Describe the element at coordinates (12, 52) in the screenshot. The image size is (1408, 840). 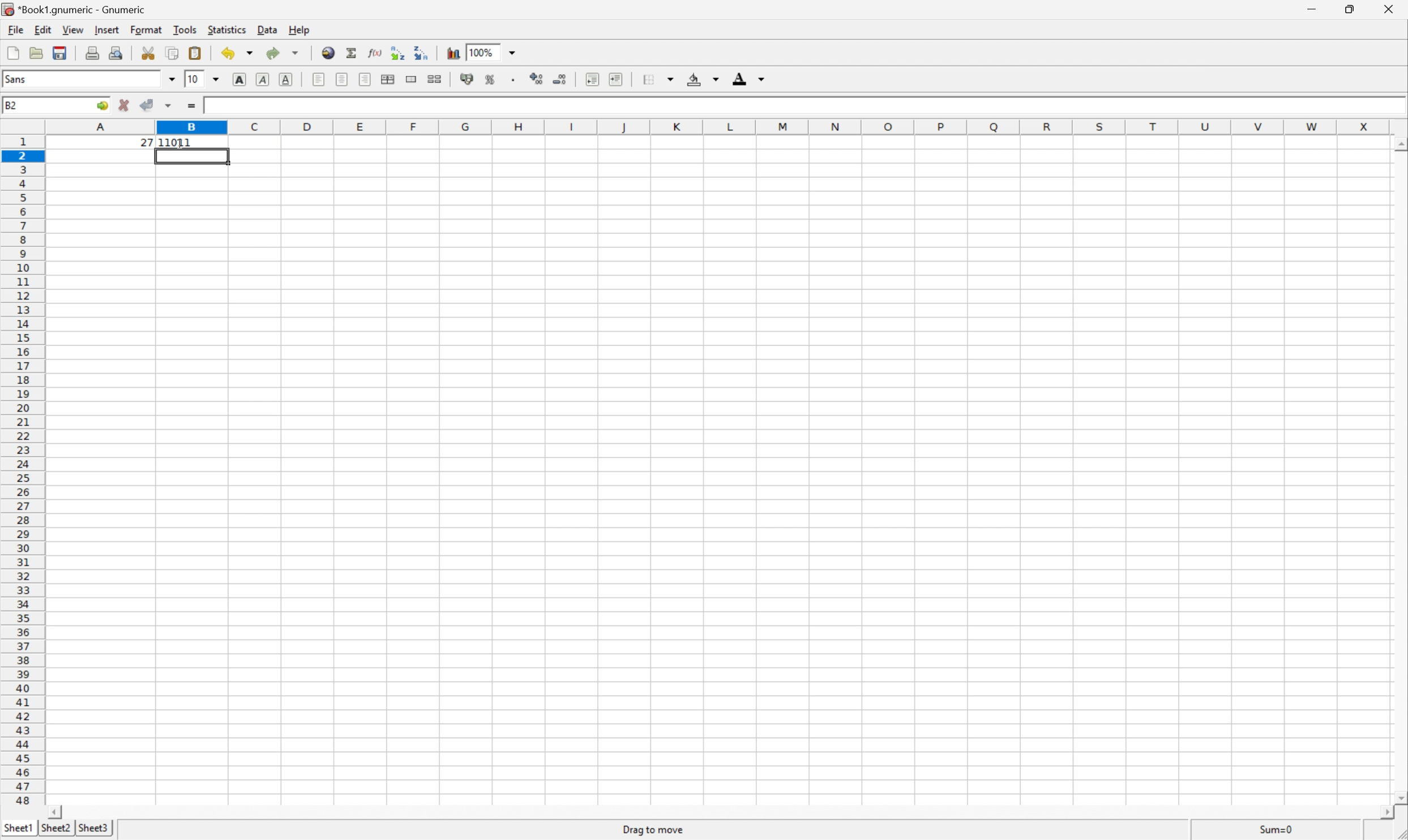
I see `Create a new workbook` at that location.